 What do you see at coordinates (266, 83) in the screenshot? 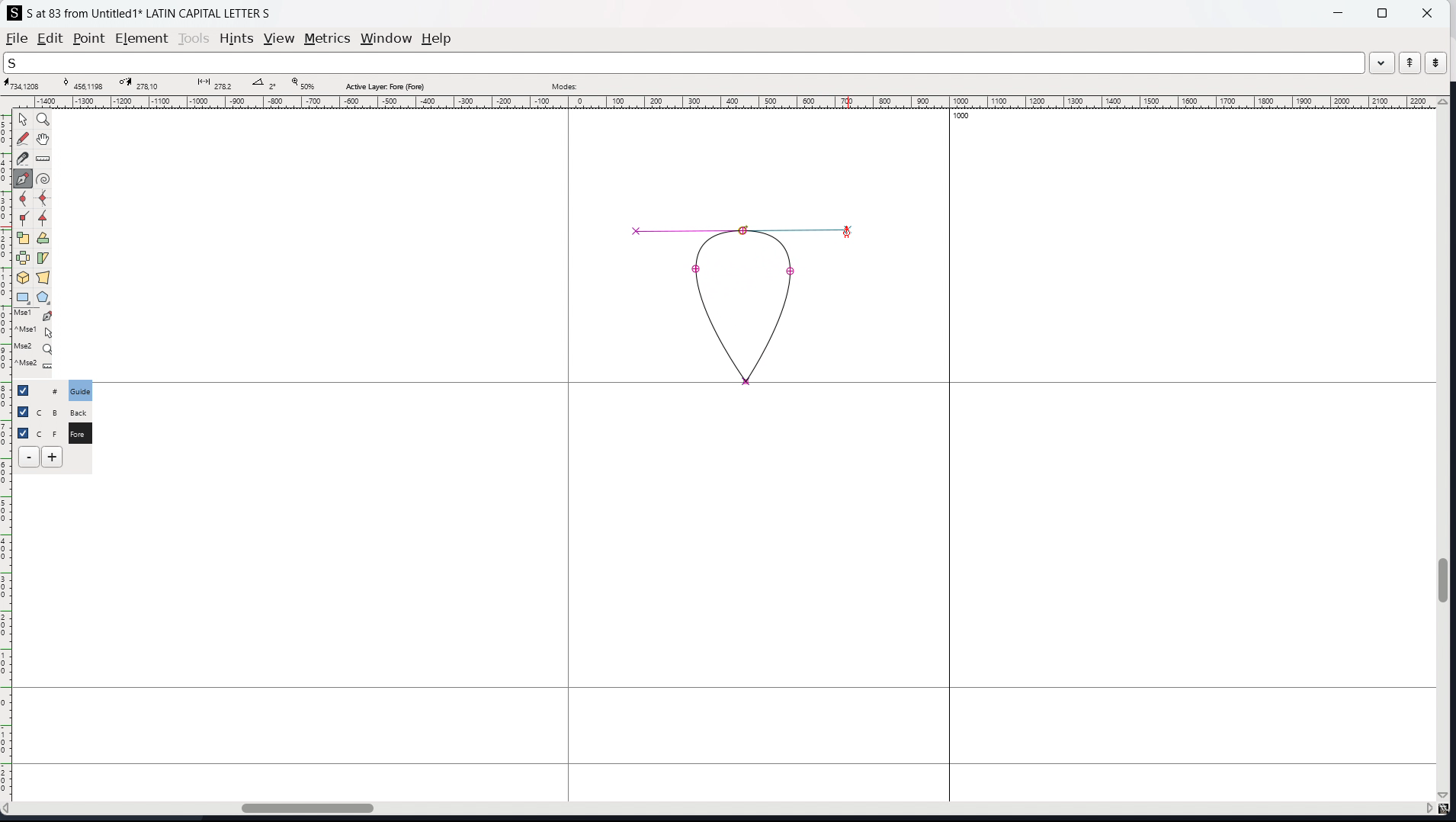
I see `angle between points` at bounding box center [266, 83].